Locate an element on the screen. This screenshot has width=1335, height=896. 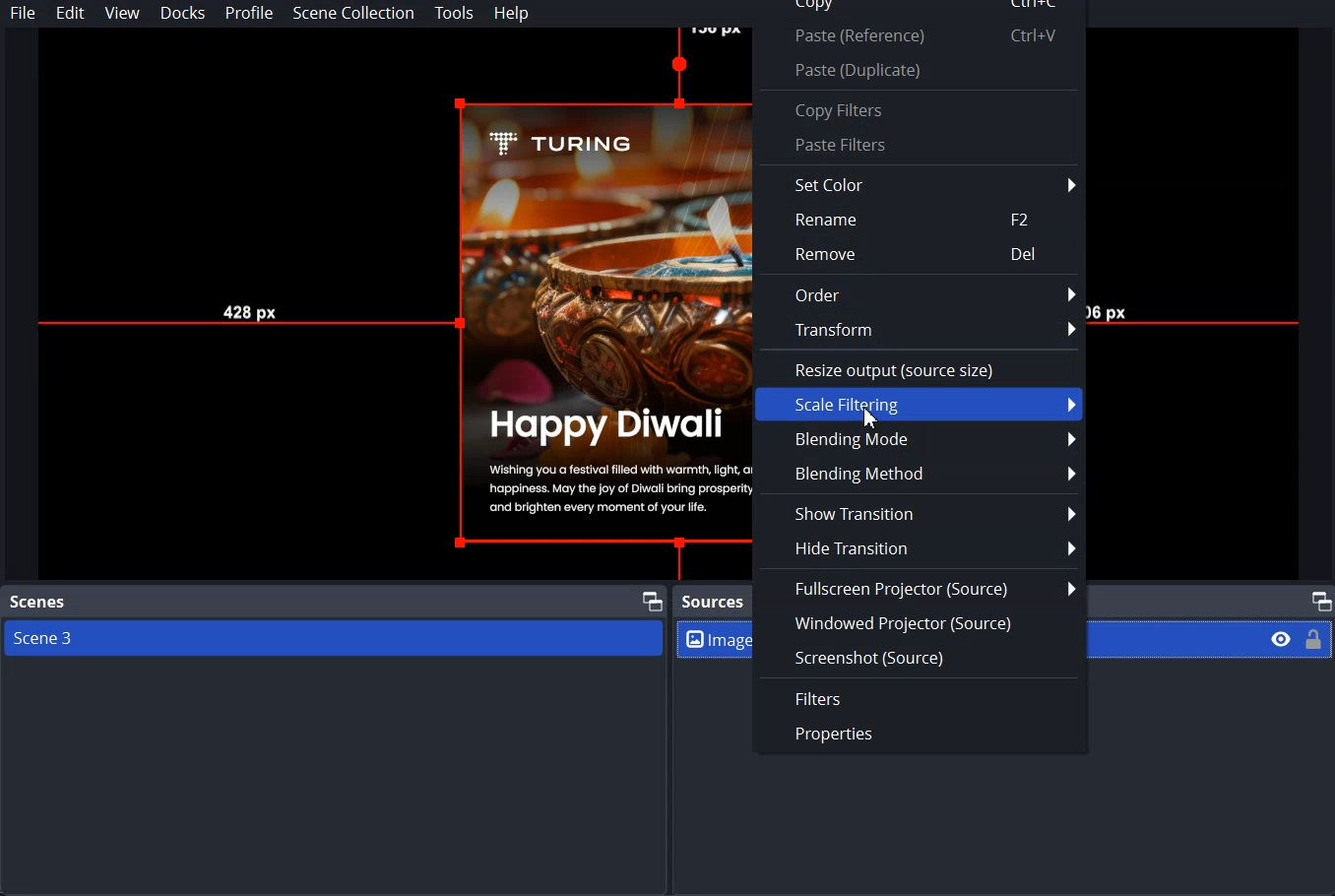
Help is located at coordinates (512, 14).